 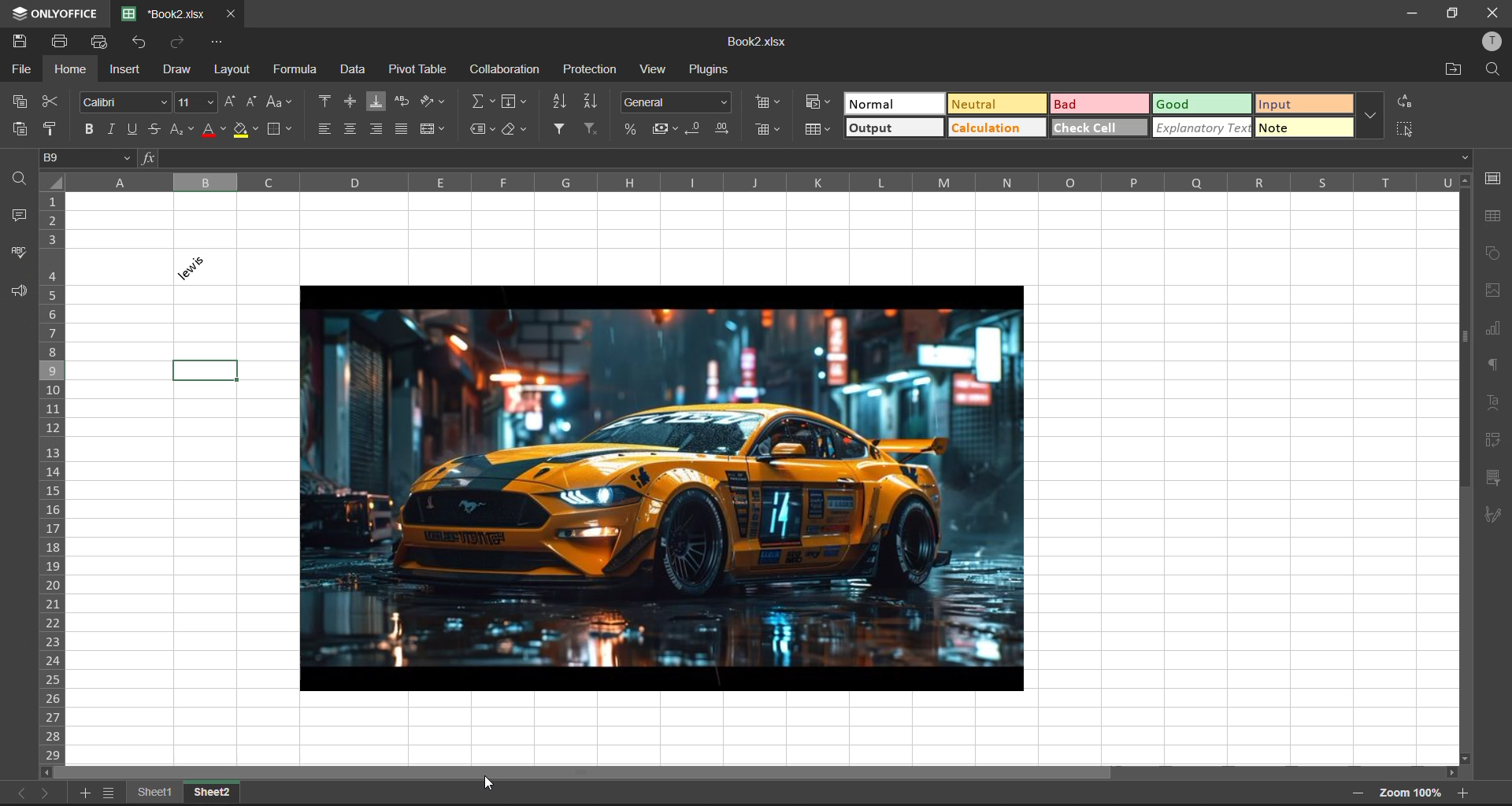 What do you see at coordinates (294, 71) in the screenshot?
I see `formula` at bounding box center [294, 71].